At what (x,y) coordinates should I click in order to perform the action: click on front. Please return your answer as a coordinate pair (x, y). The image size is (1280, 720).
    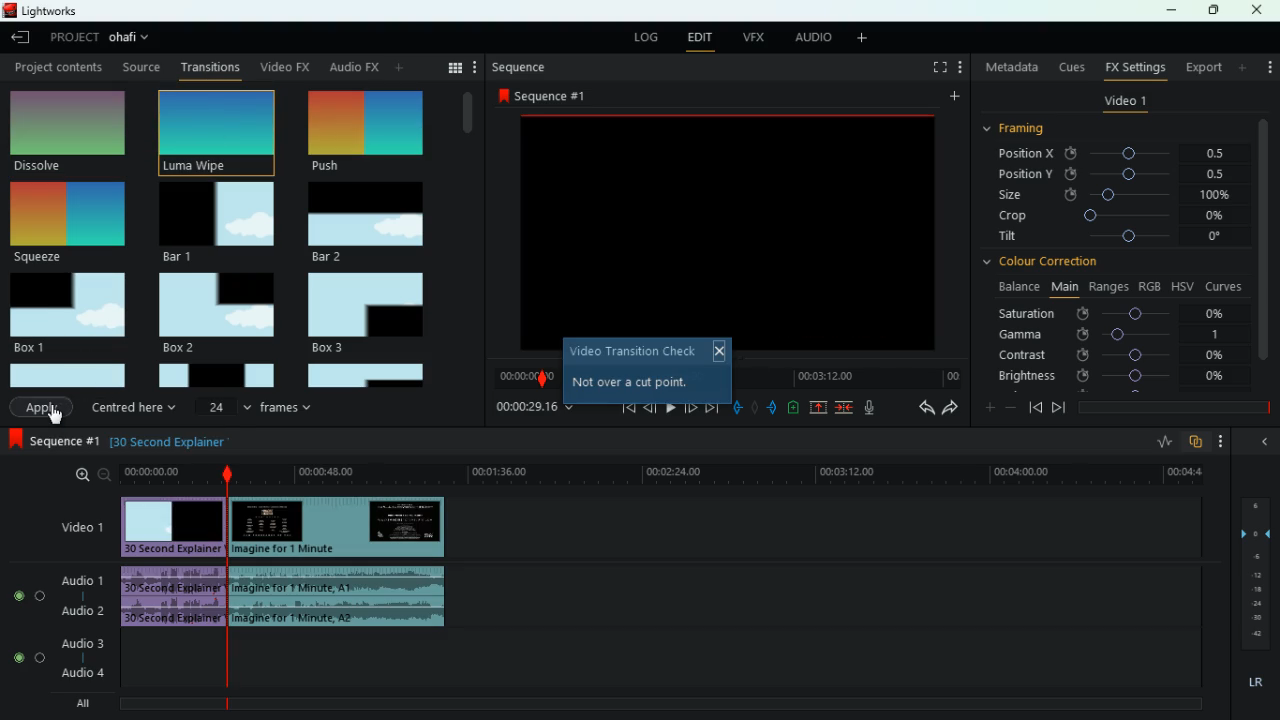
    Looking at the image, I should click on (689, 405).